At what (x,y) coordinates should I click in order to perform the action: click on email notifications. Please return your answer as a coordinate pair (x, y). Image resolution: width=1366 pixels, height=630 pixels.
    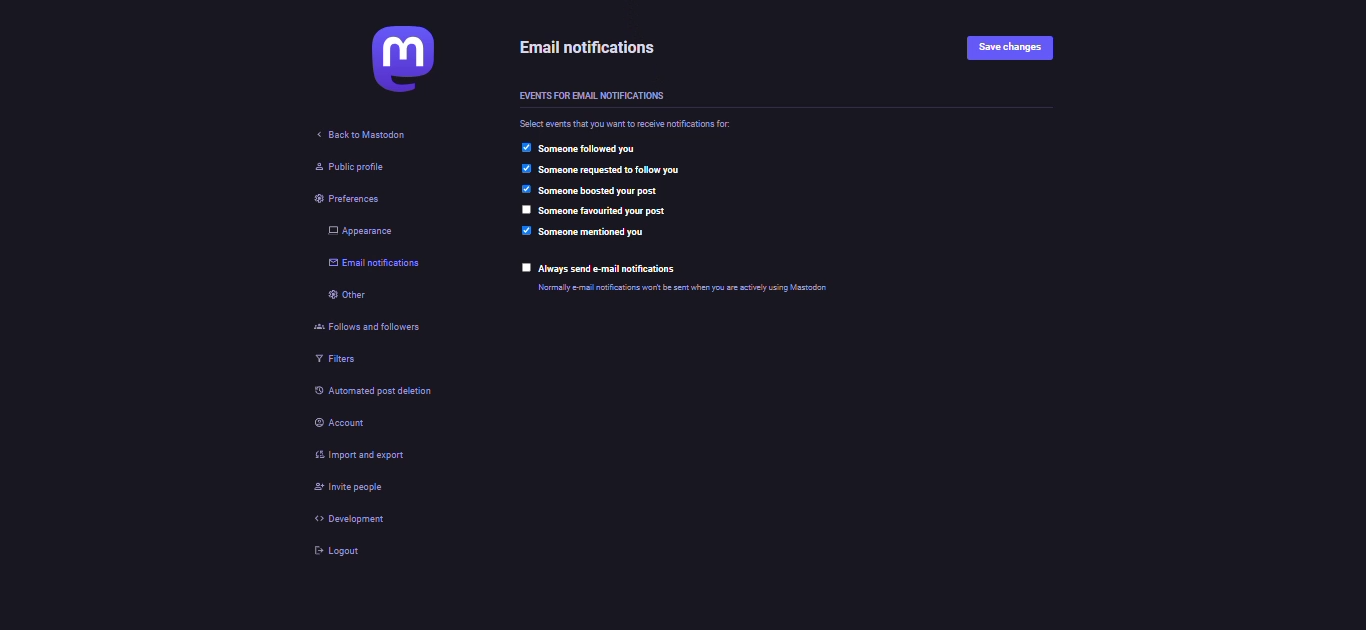
    Looking at the image, I should click on (599, 48).